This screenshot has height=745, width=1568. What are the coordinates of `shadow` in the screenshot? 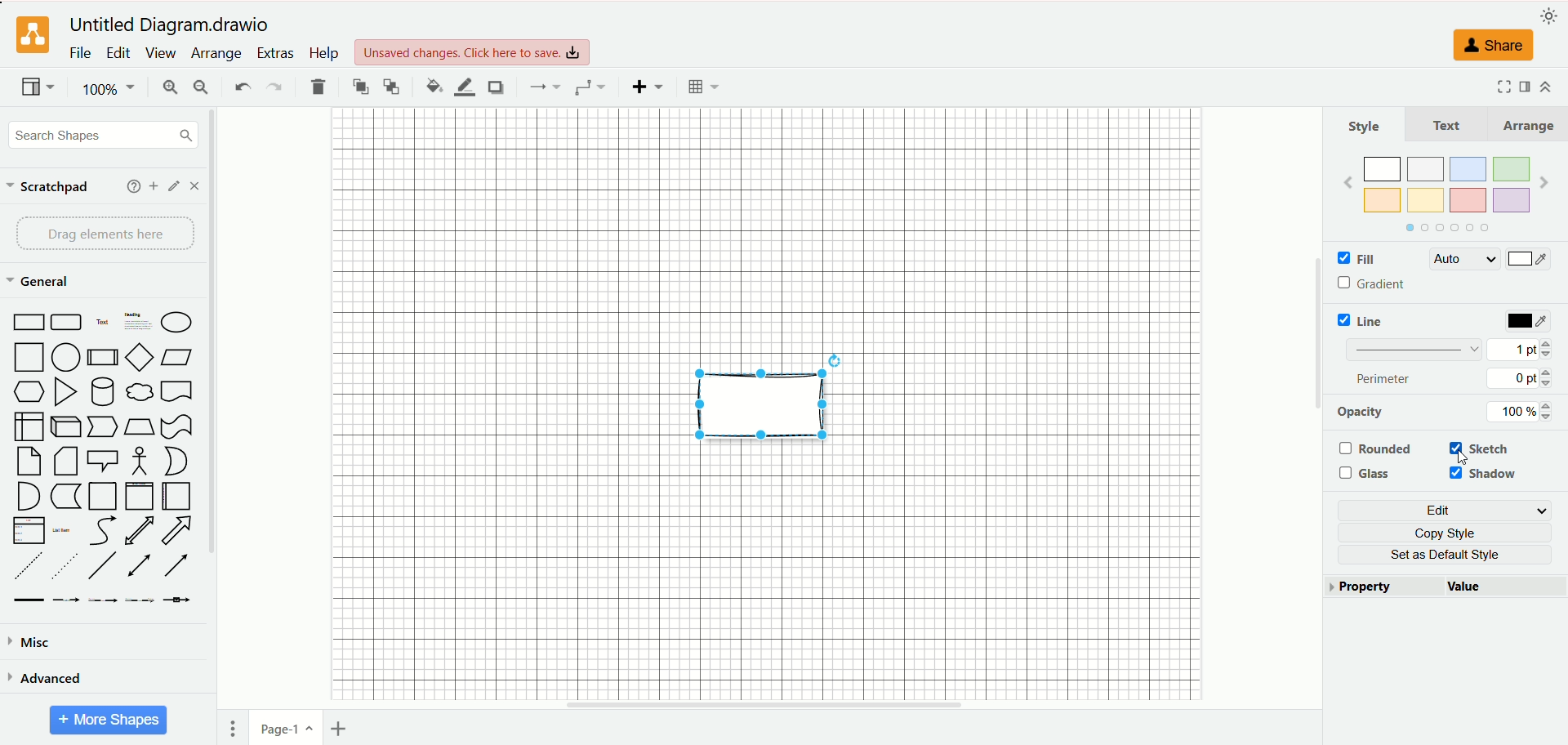 It's located at (1486, 475).